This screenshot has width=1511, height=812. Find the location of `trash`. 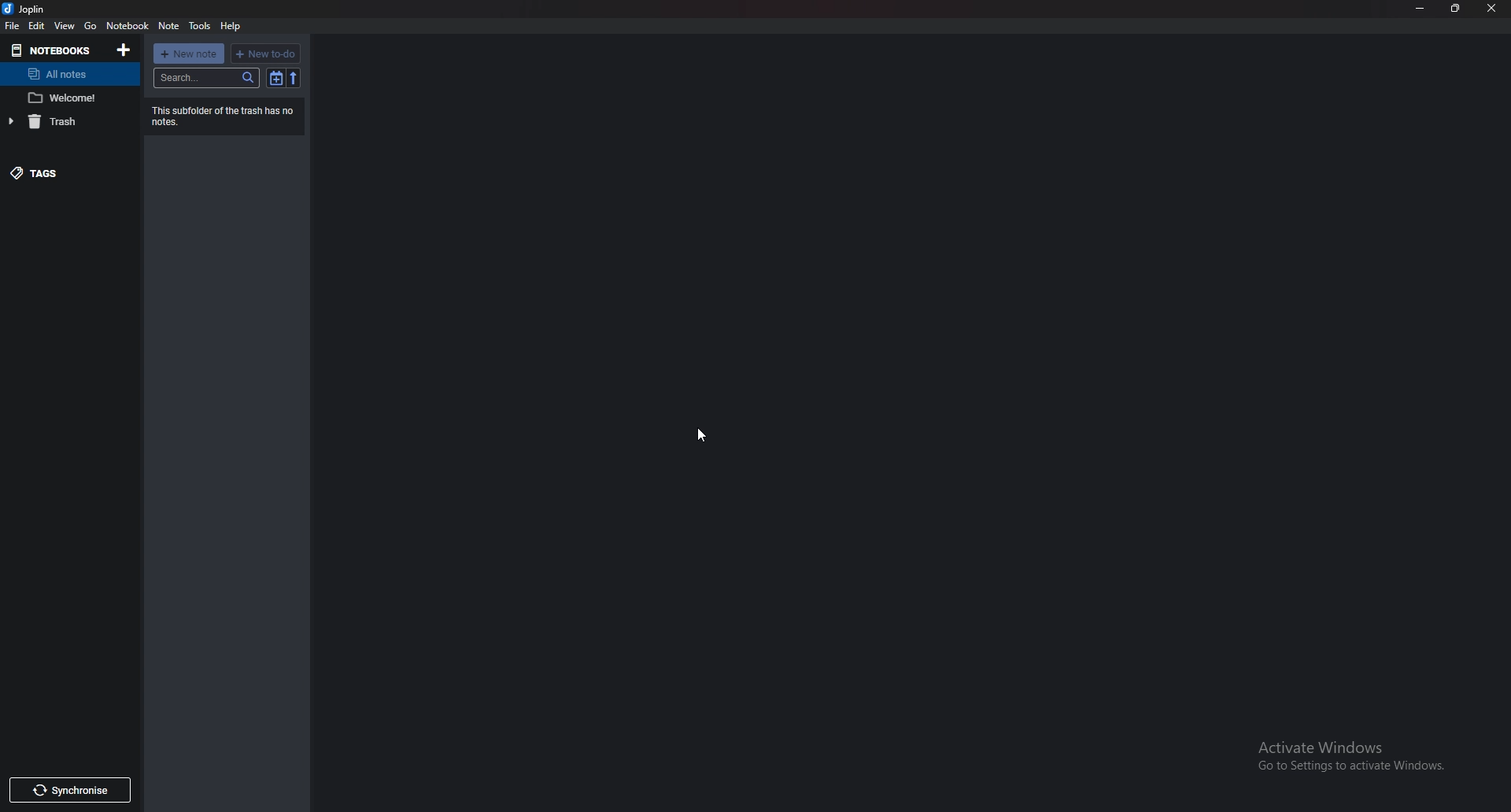

trash is located at coordinates (64, 120).